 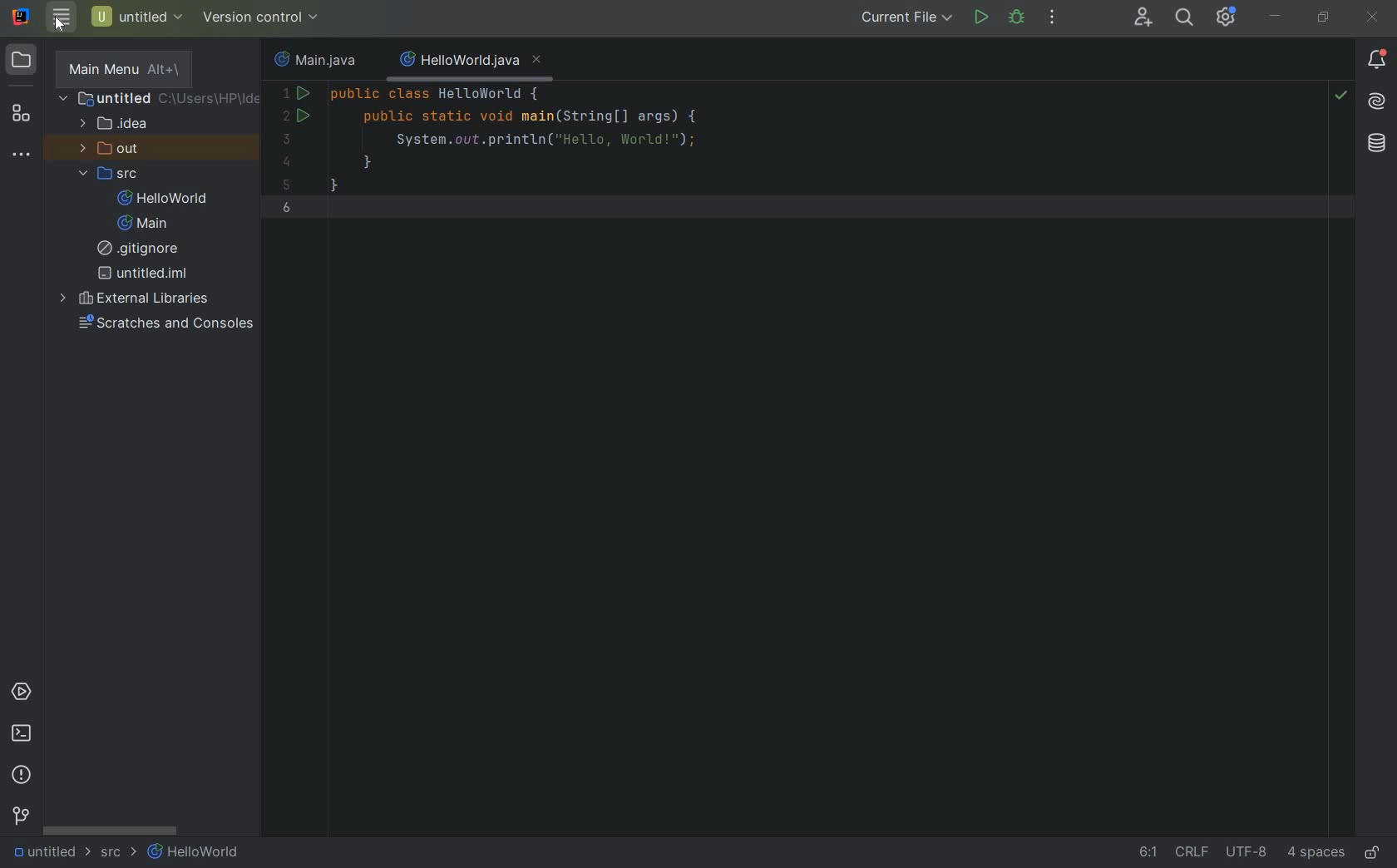 What do you see at coordinates (21, 113) in the screenshot?
I see `STRUCTURE` at bounding box center [21, 113].